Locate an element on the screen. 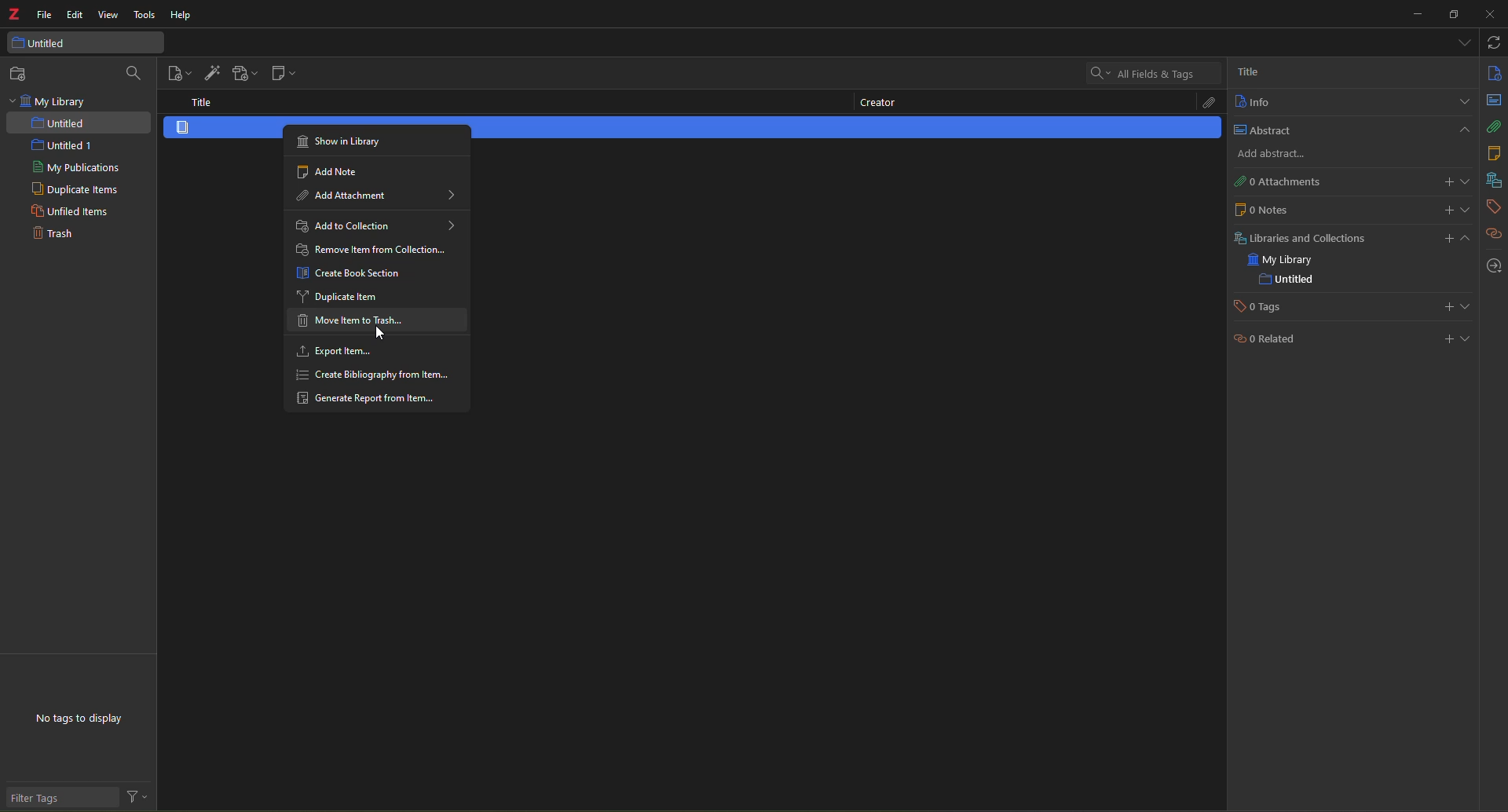 The width and height of the screenshot is (1508, 812). duplicate items is located at coordinates (74, 190).